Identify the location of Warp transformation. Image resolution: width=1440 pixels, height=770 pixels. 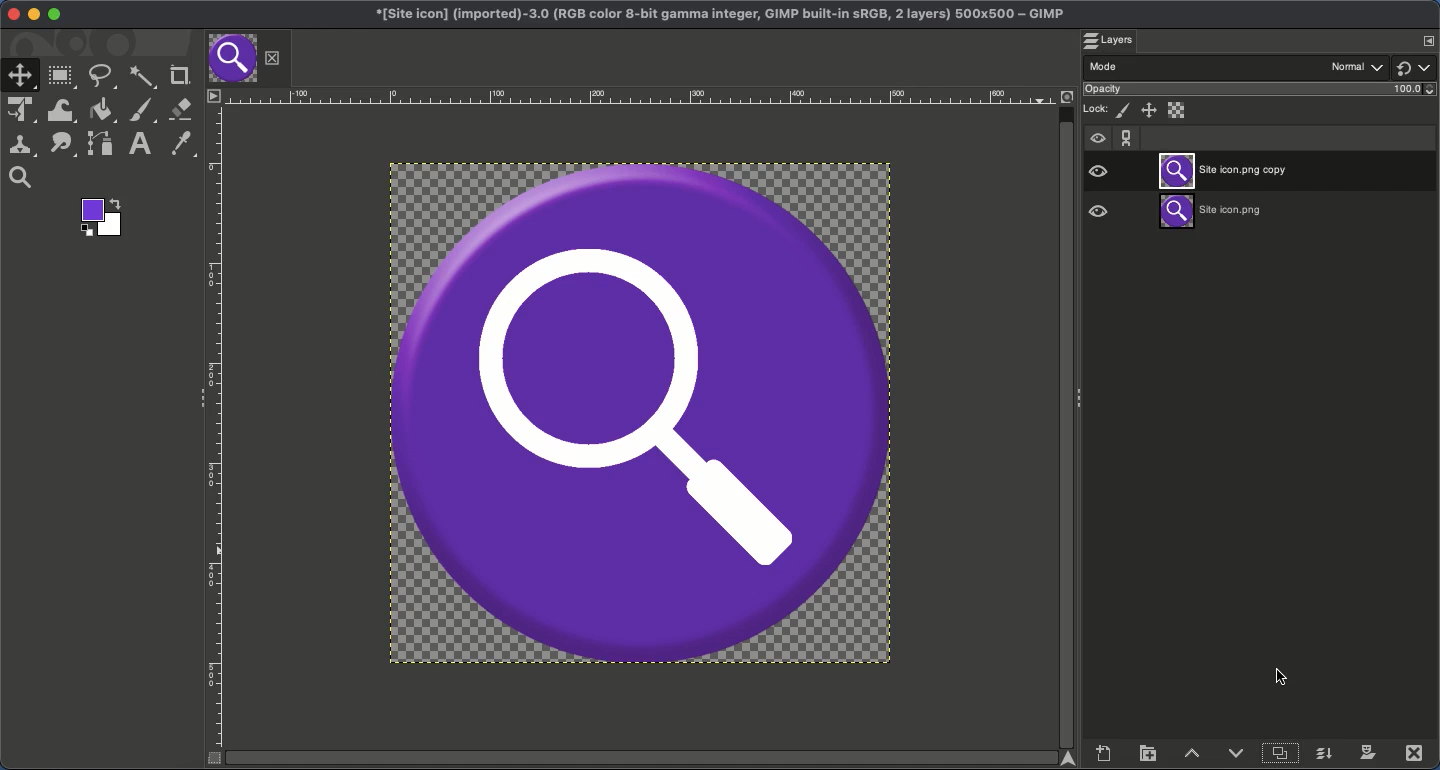
(61, 112).